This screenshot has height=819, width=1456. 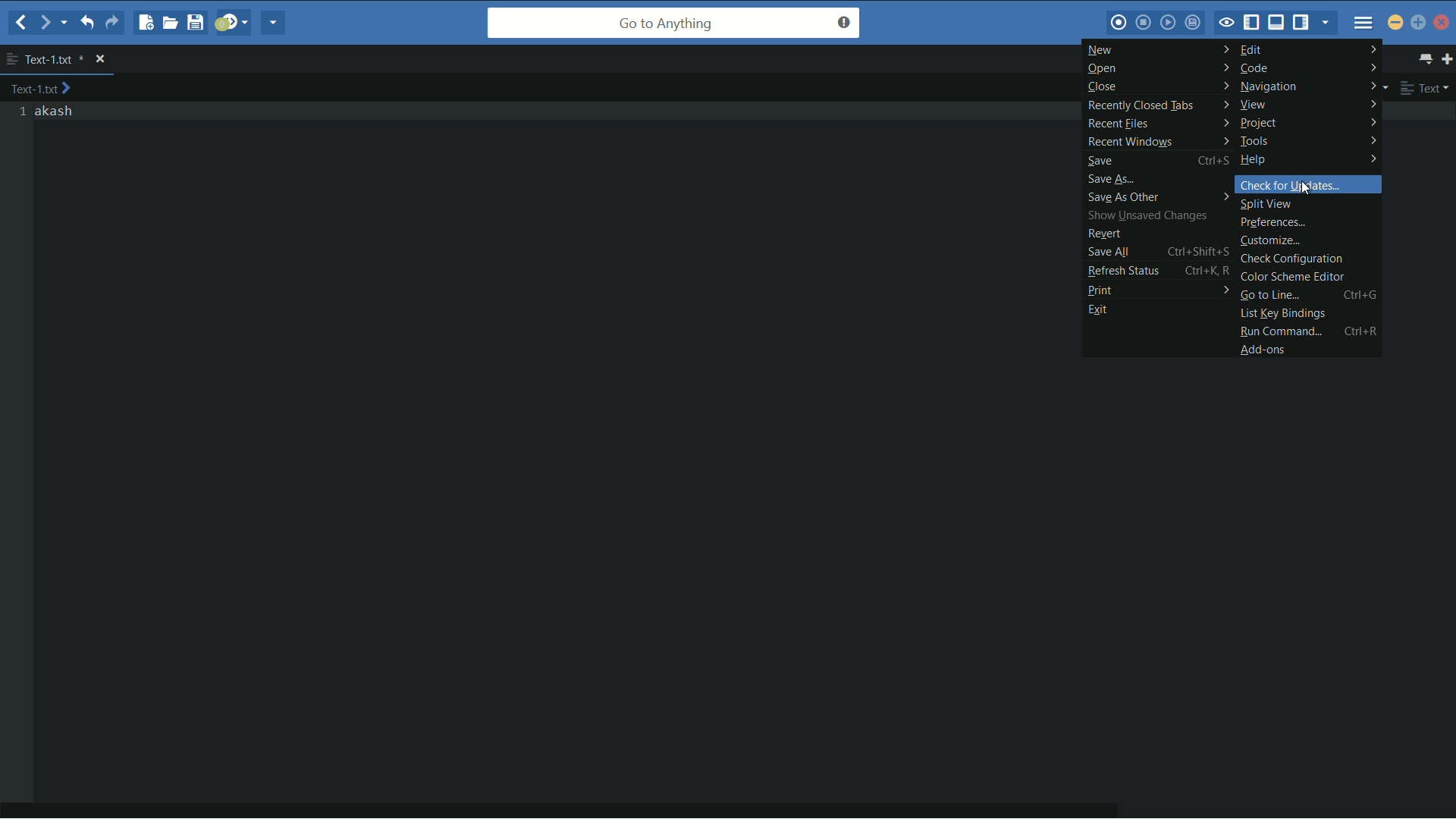 What do you see at coordinates (1426, 89) in the screenshot?
I see `file type` at bounding box center [1426, 89].